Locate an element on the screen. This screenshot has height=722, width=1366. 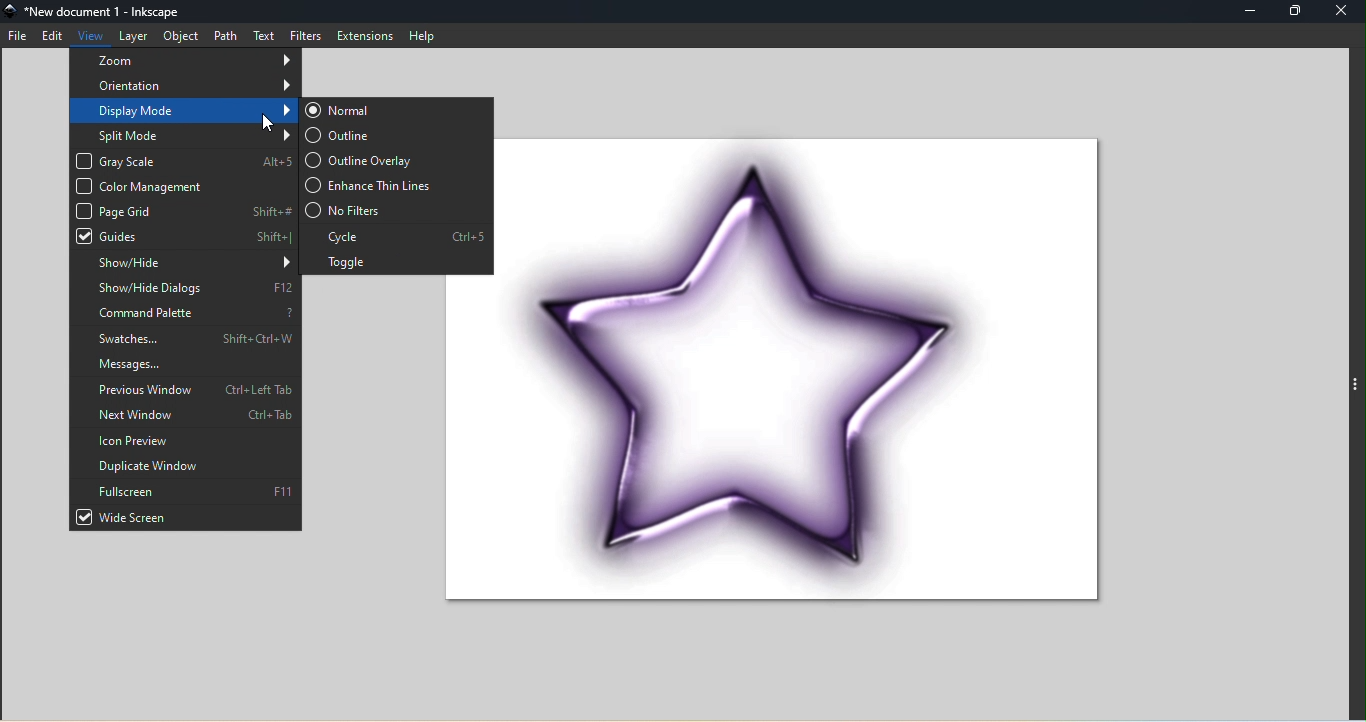
Gray scale is located at coordinates (184, 160).